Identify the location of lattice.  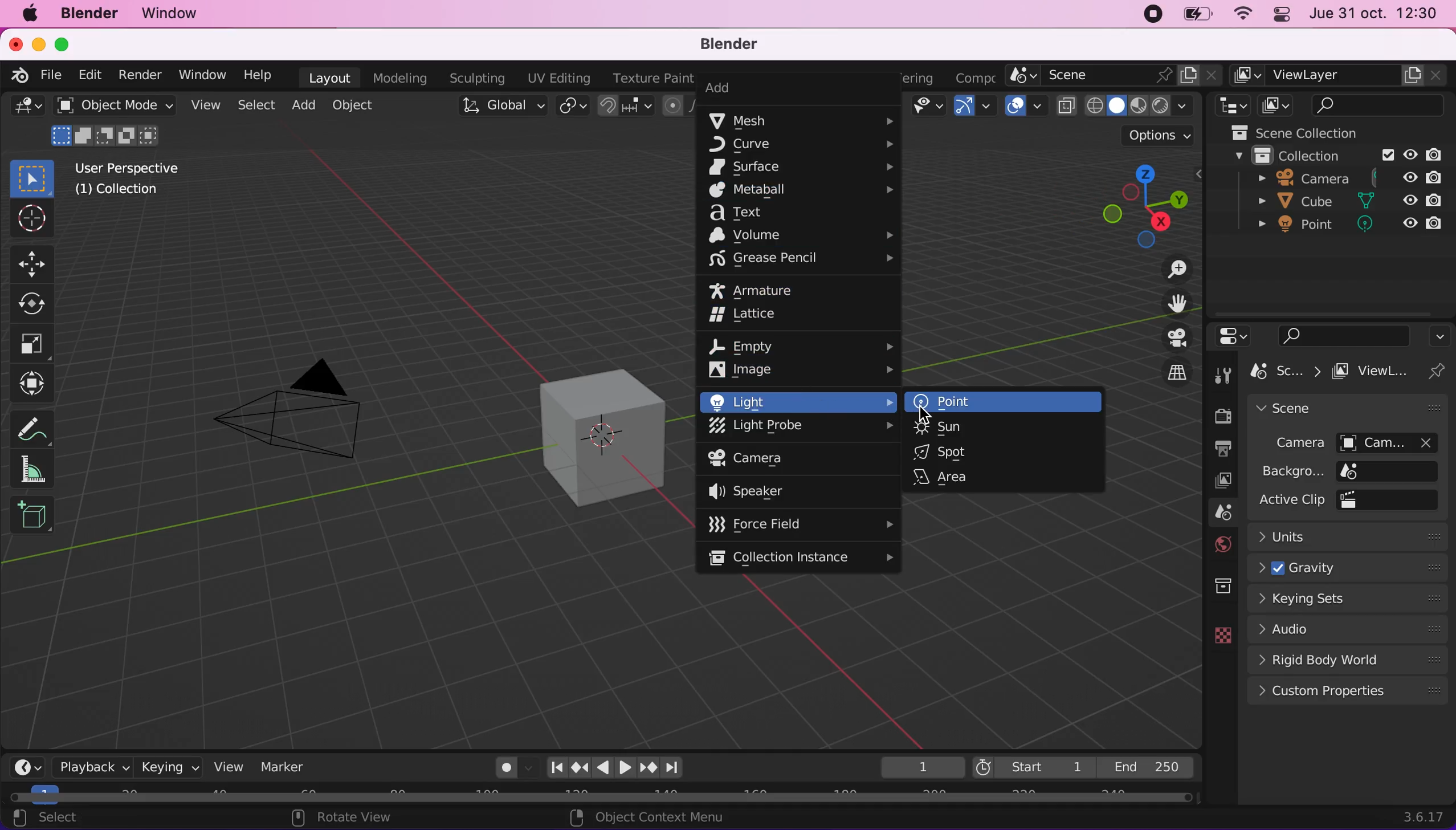
(770, 315).